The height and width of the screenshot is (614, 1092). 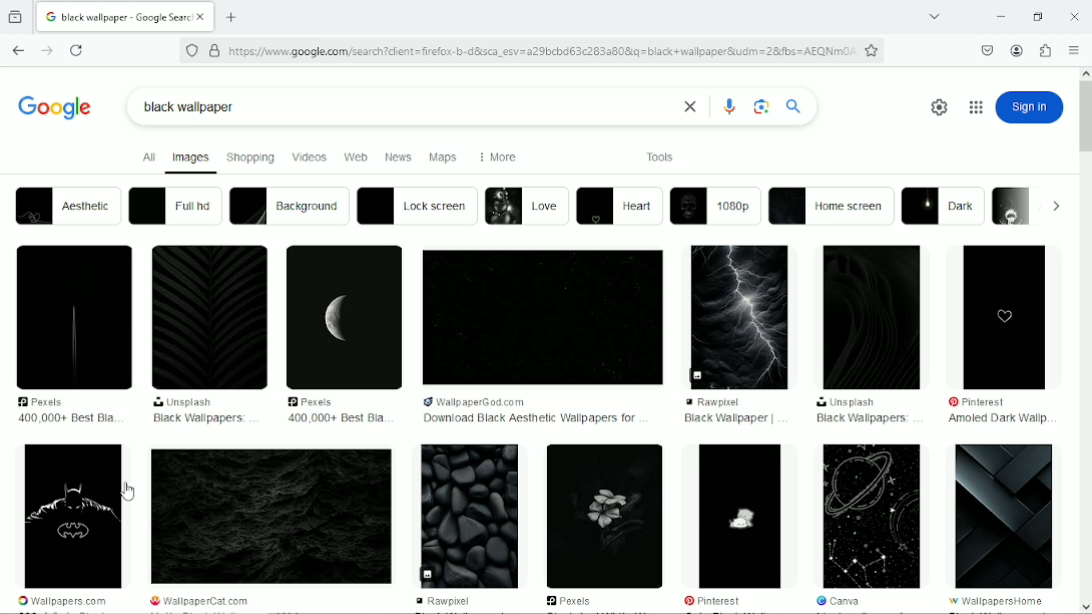 What do you see at coordinates (1047, 51) in the screenshot?
I see `Extensions` at bounding box center [1047, 51].